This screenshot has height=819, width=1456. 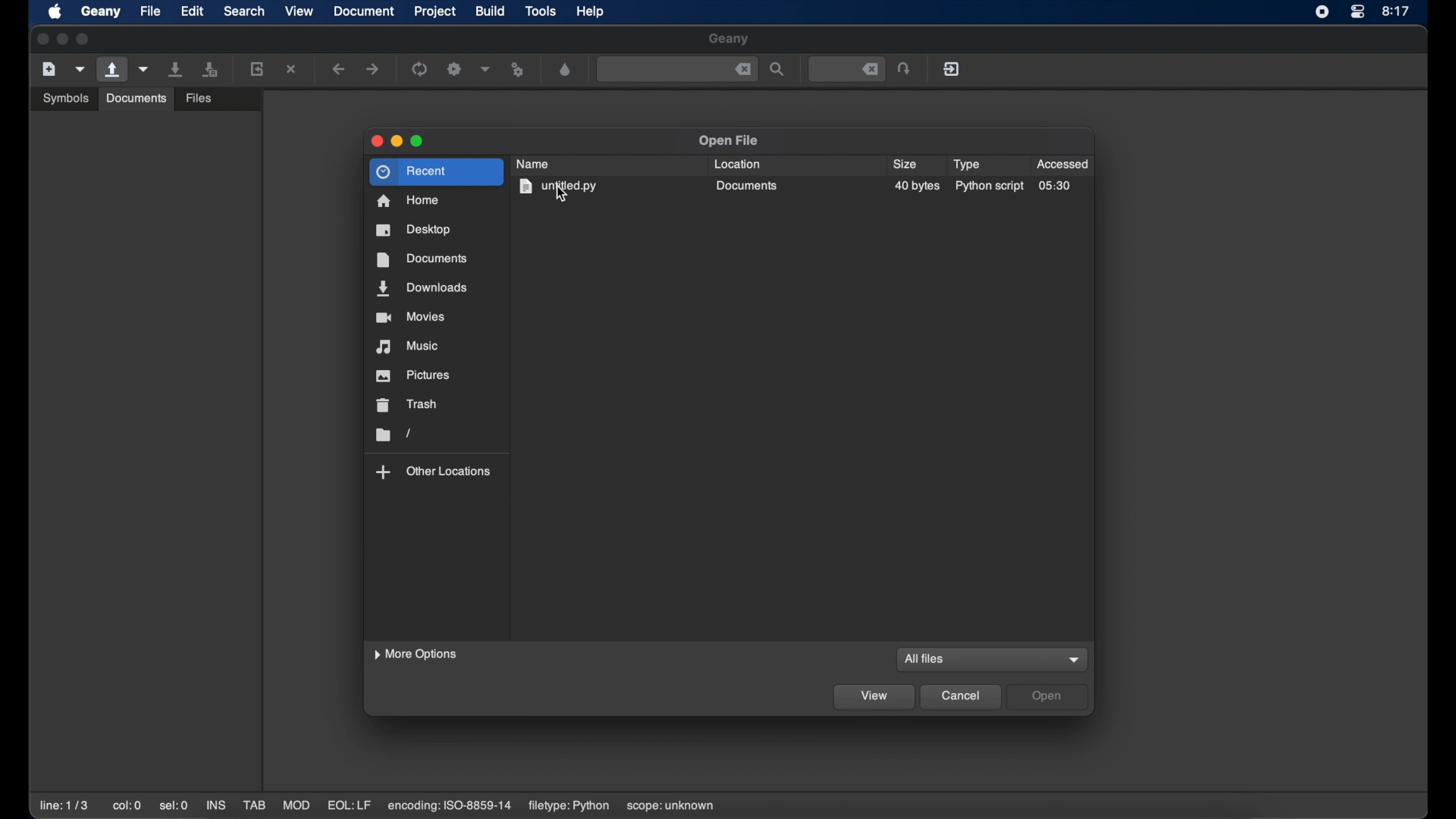 What do you see at coordinates (541, 10) in the screenshot?
I see `tools` at bounding box center [541, 10].